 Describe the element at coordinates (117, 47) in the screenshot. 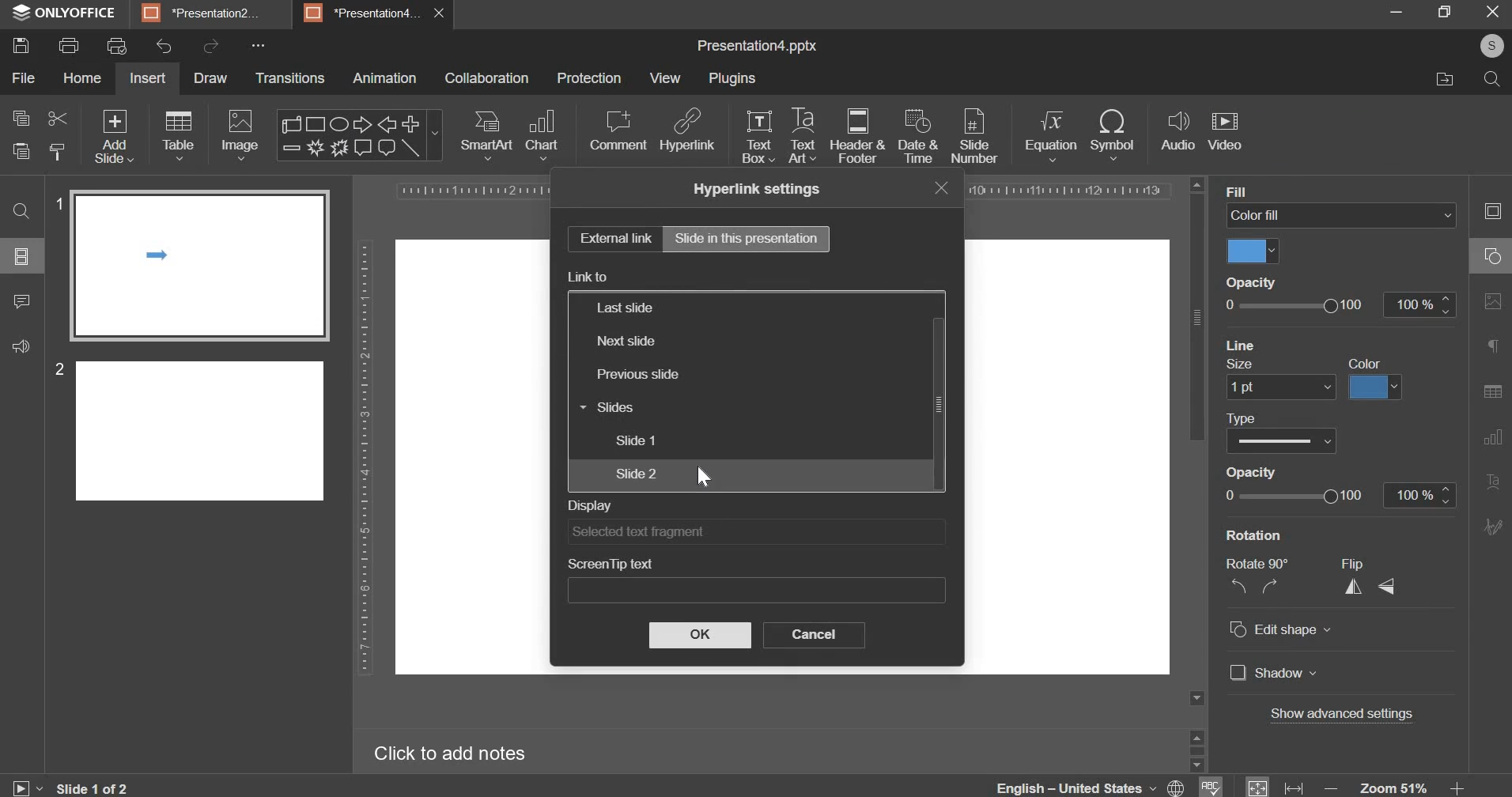

I see `print preview` at that location.